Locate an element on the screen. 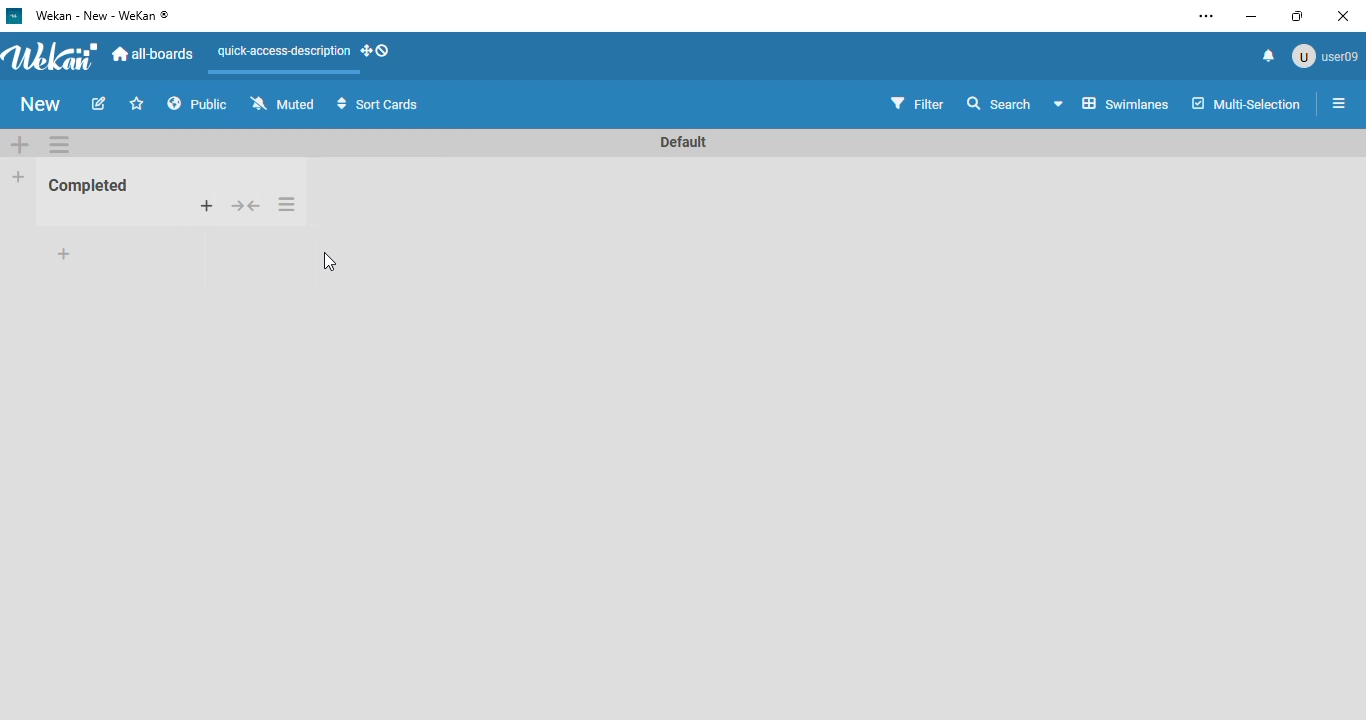 The image size is (1366, 720). settings and more is located at coordinates (1207, 16).